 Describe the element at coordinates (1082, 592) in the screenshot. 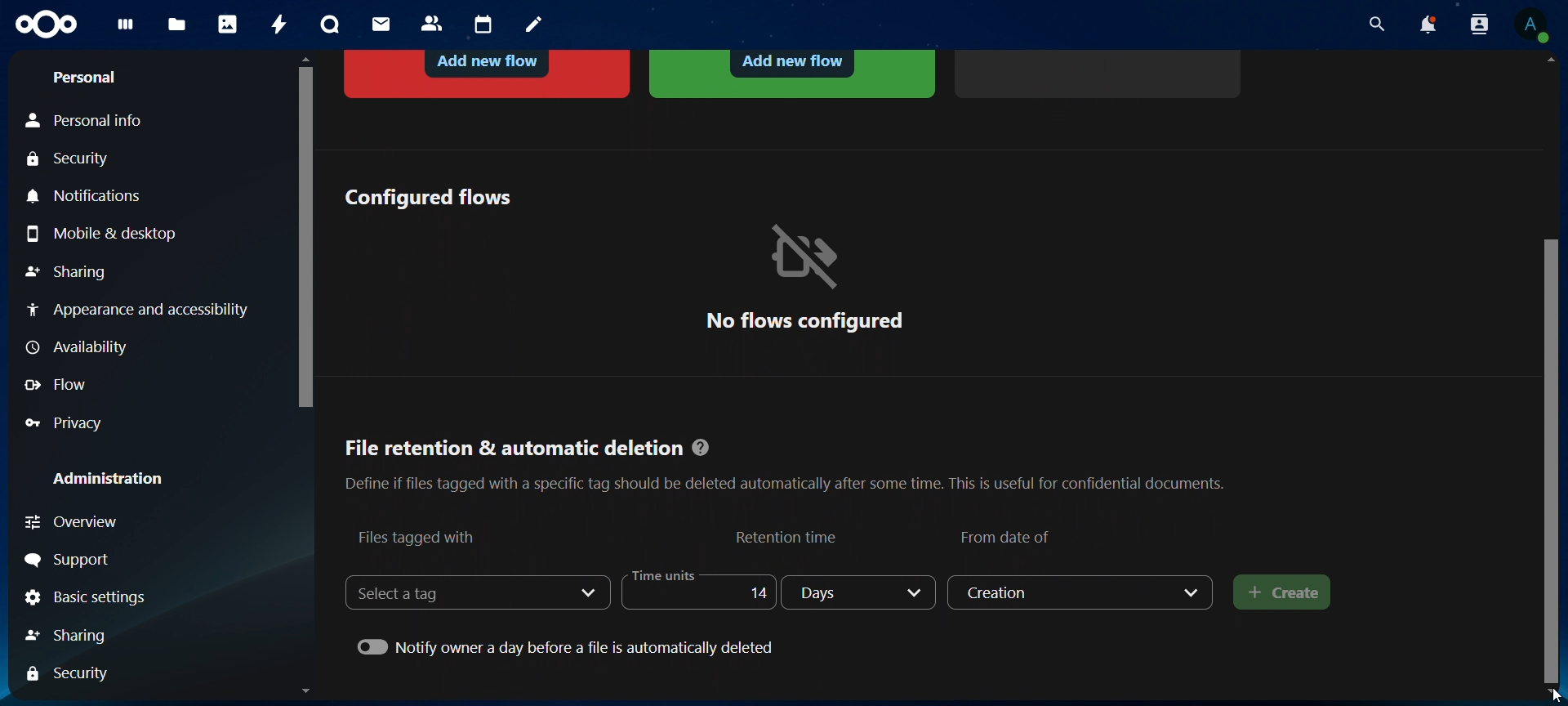

I see `creation` at that location.